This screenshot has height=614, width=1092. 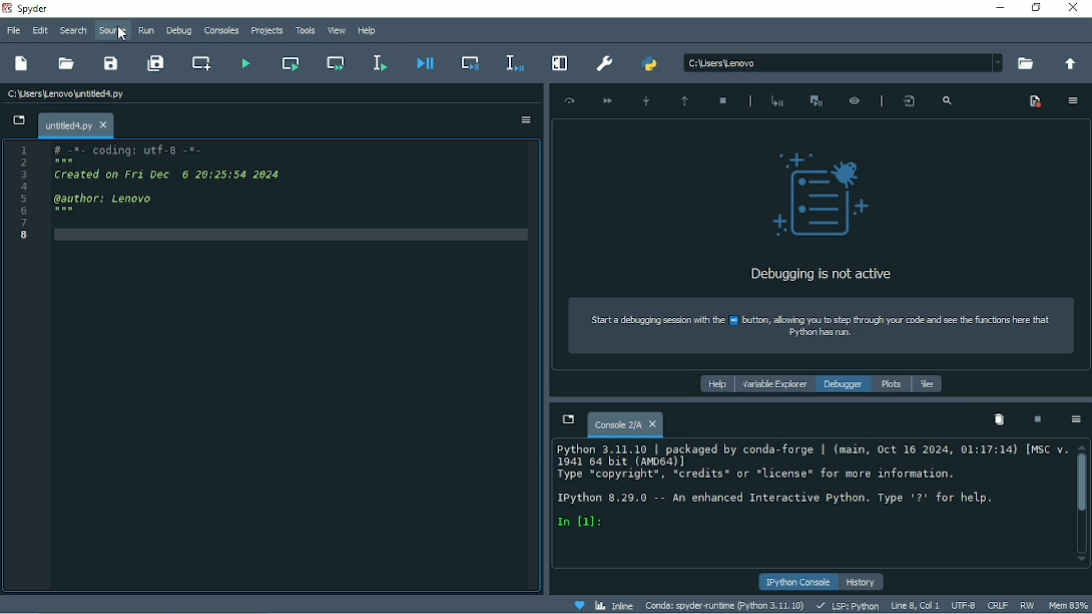 What do you see at coordinates (821, 324) in the screenshot?
I see `How to start a debugging` at bounding box center [821, 324].